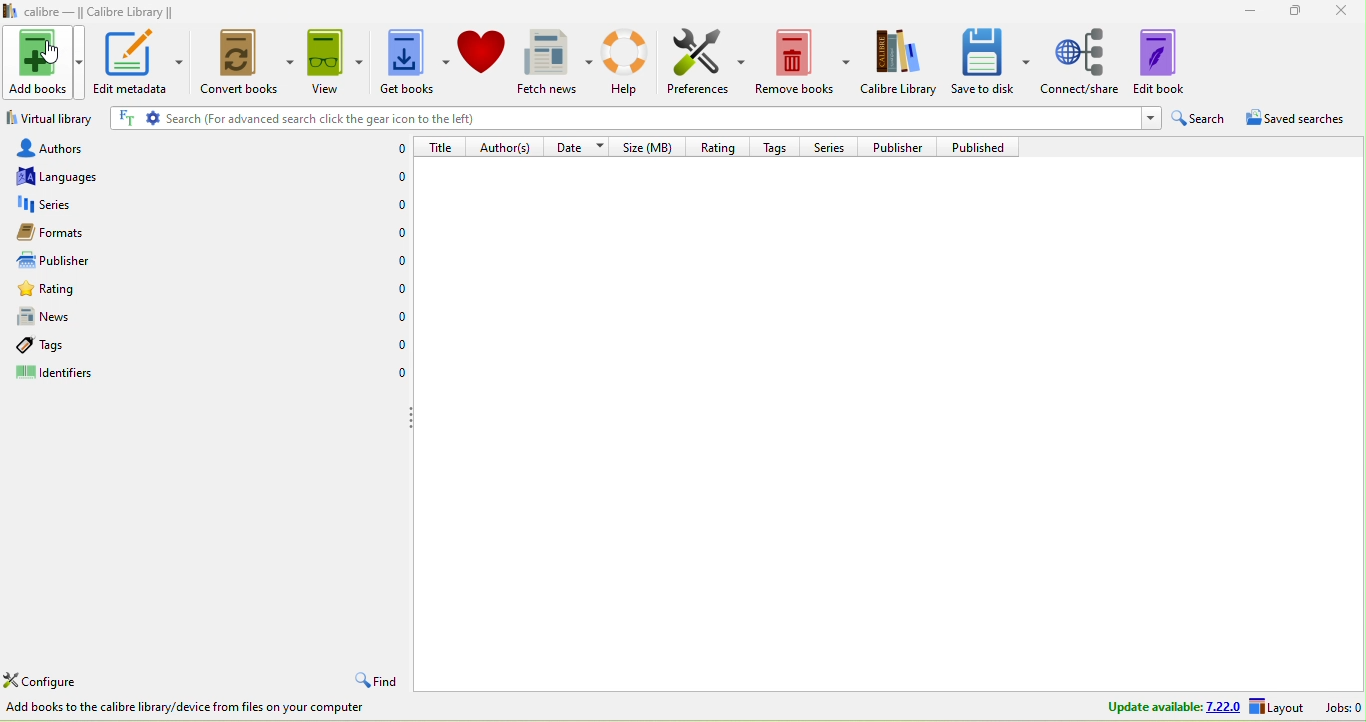 The image size is (1366, 722). I want to click on published, so click(985, 147).